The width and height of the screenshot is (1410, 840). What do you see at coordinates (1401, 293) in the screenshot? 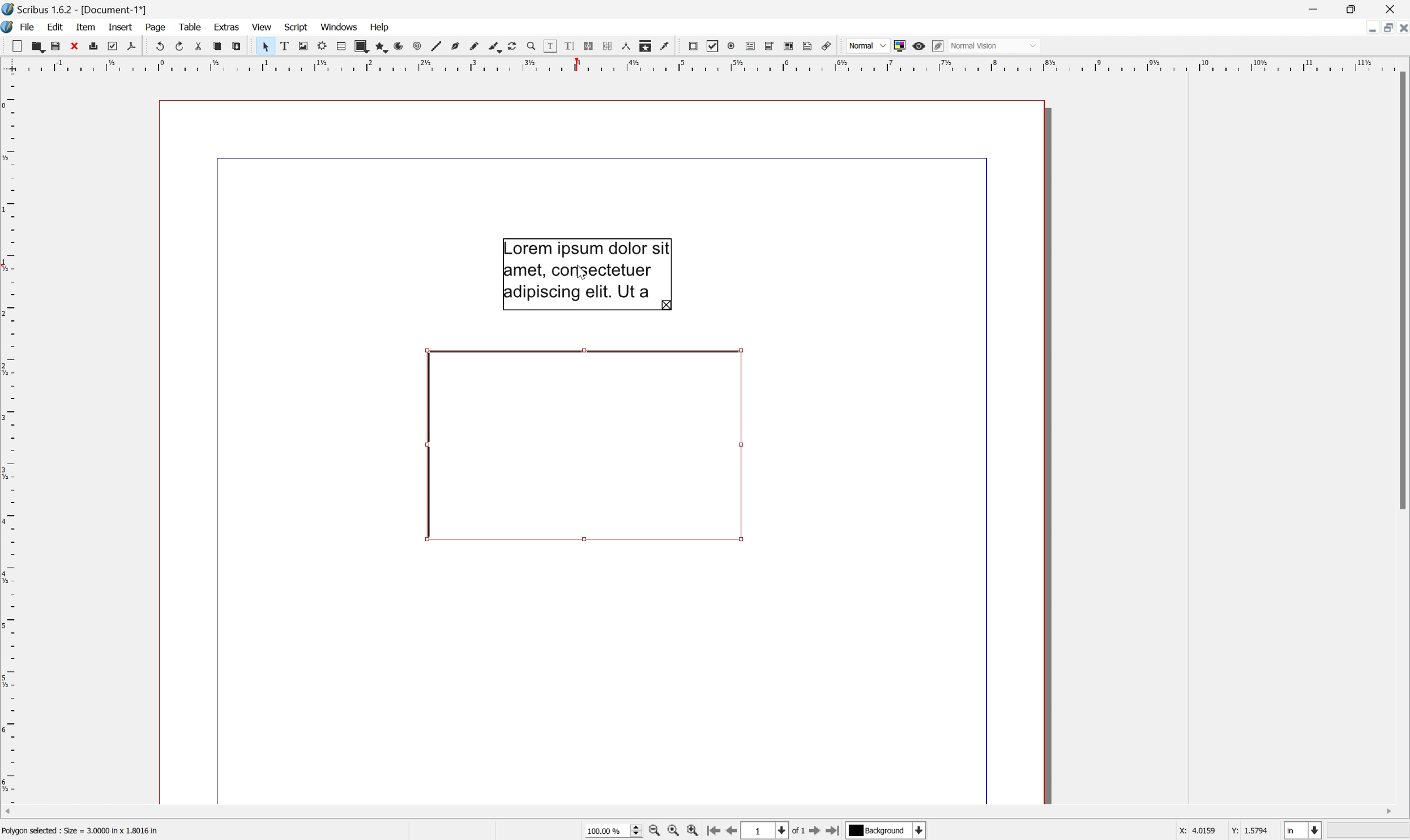
I see `Scroll bar` at bounding box center [1401, 293].